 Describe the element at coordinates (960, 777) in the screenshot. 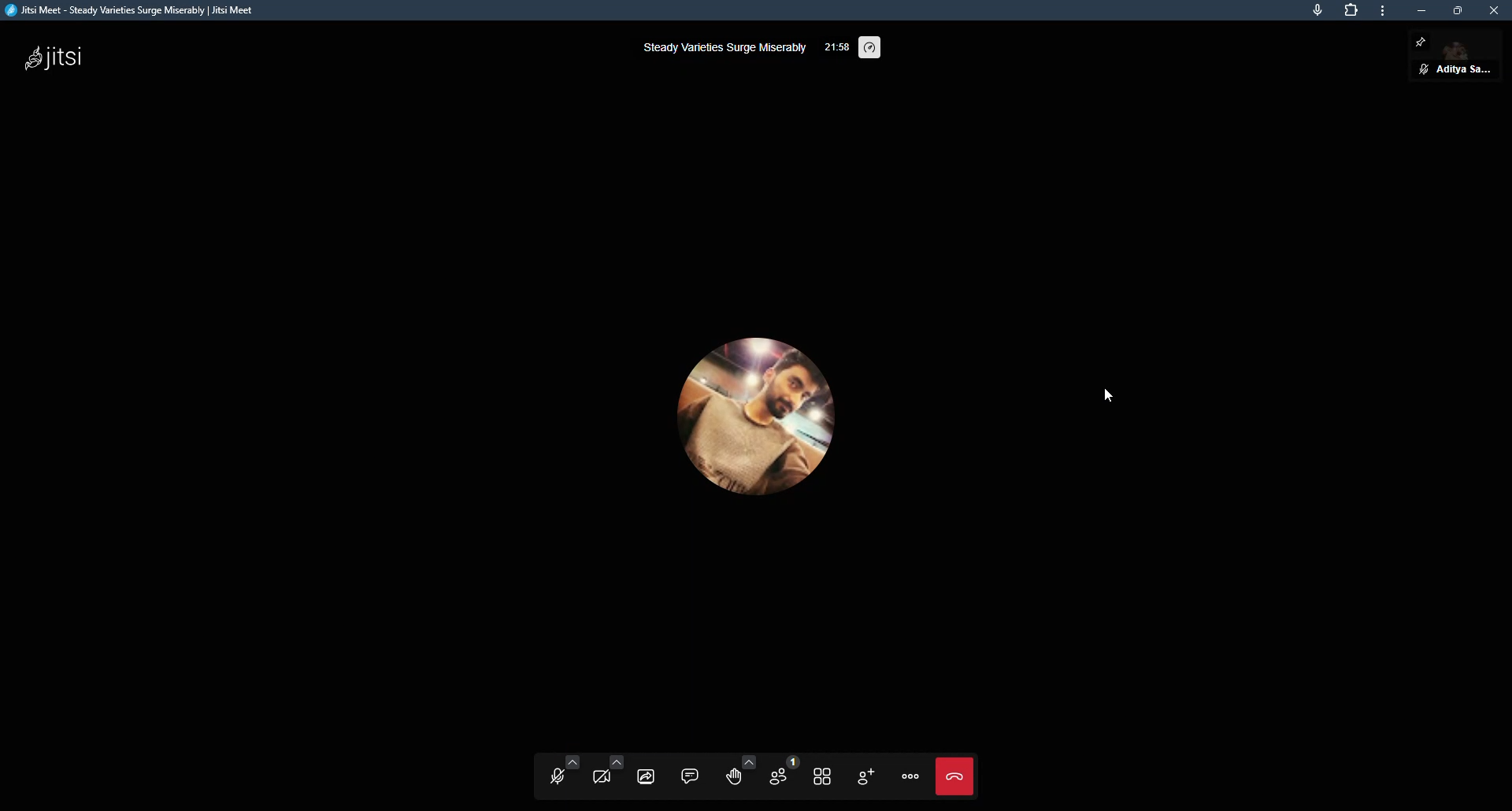

I see `end call` at that location.